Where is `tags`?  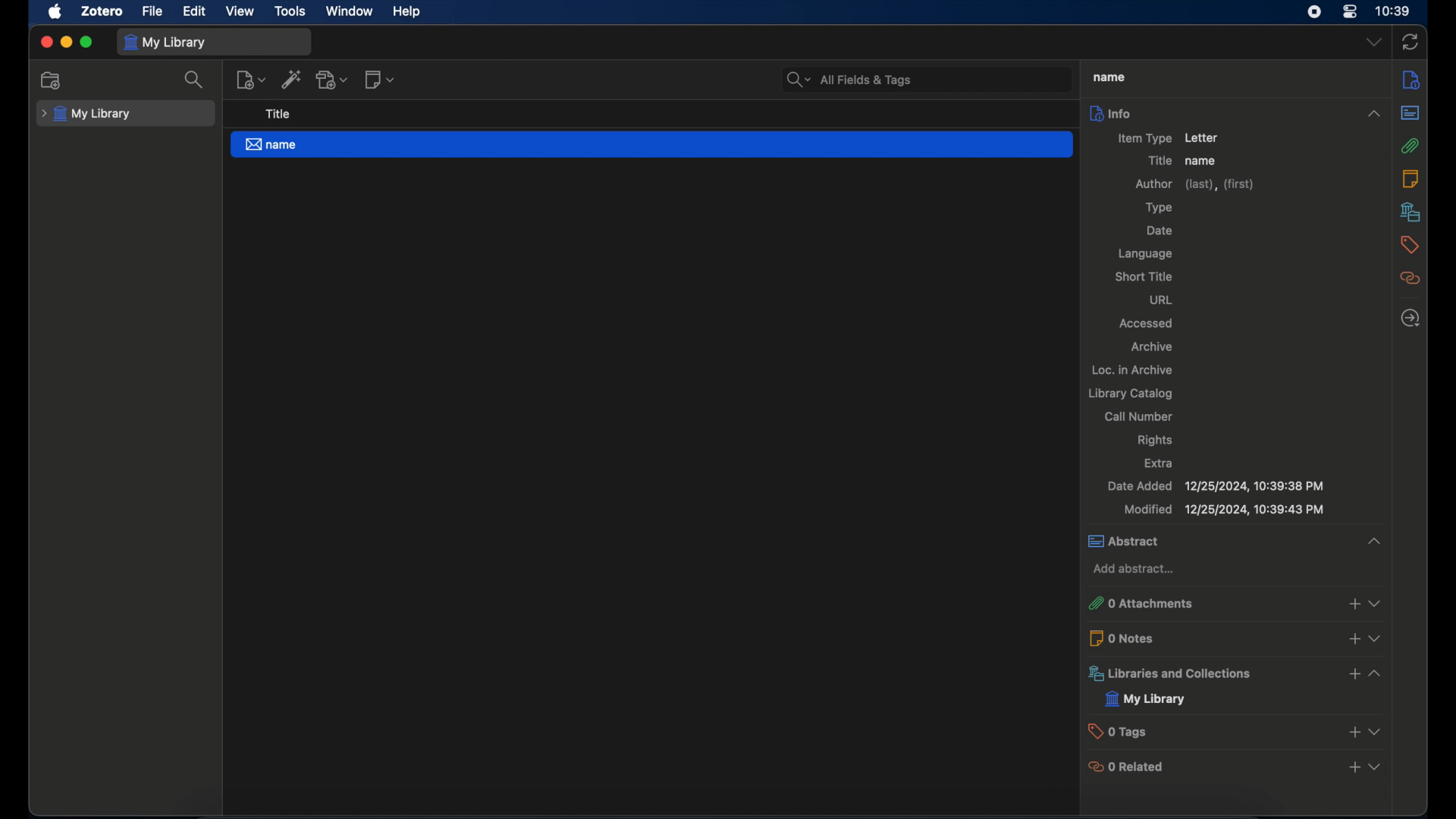 tags is located at coordinates (1407, 245).